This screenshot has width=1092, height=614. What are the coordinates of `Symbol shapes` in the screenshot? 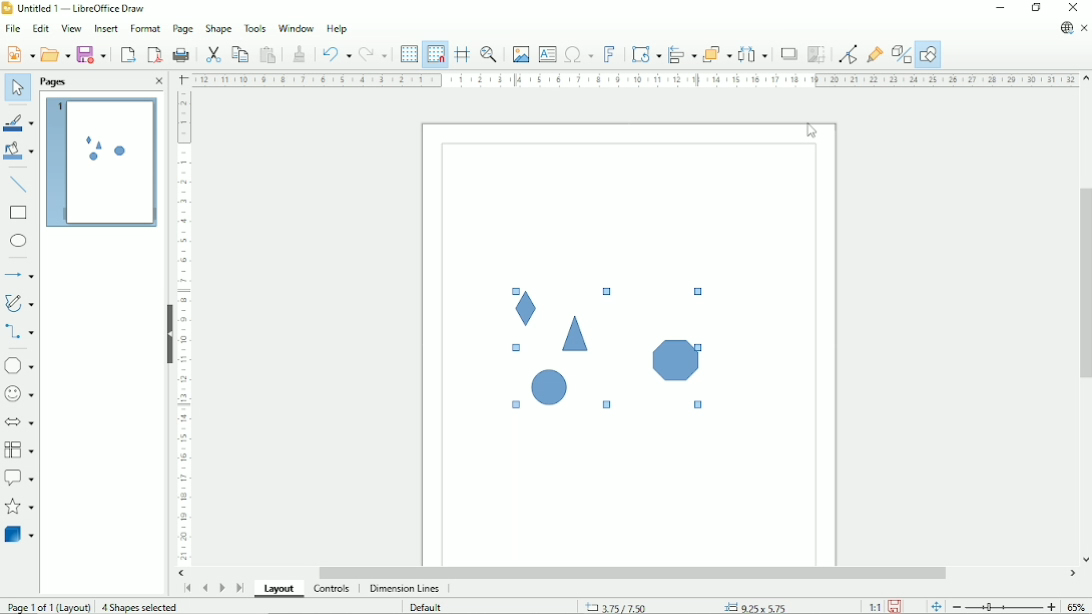 It's located at (19, 394).